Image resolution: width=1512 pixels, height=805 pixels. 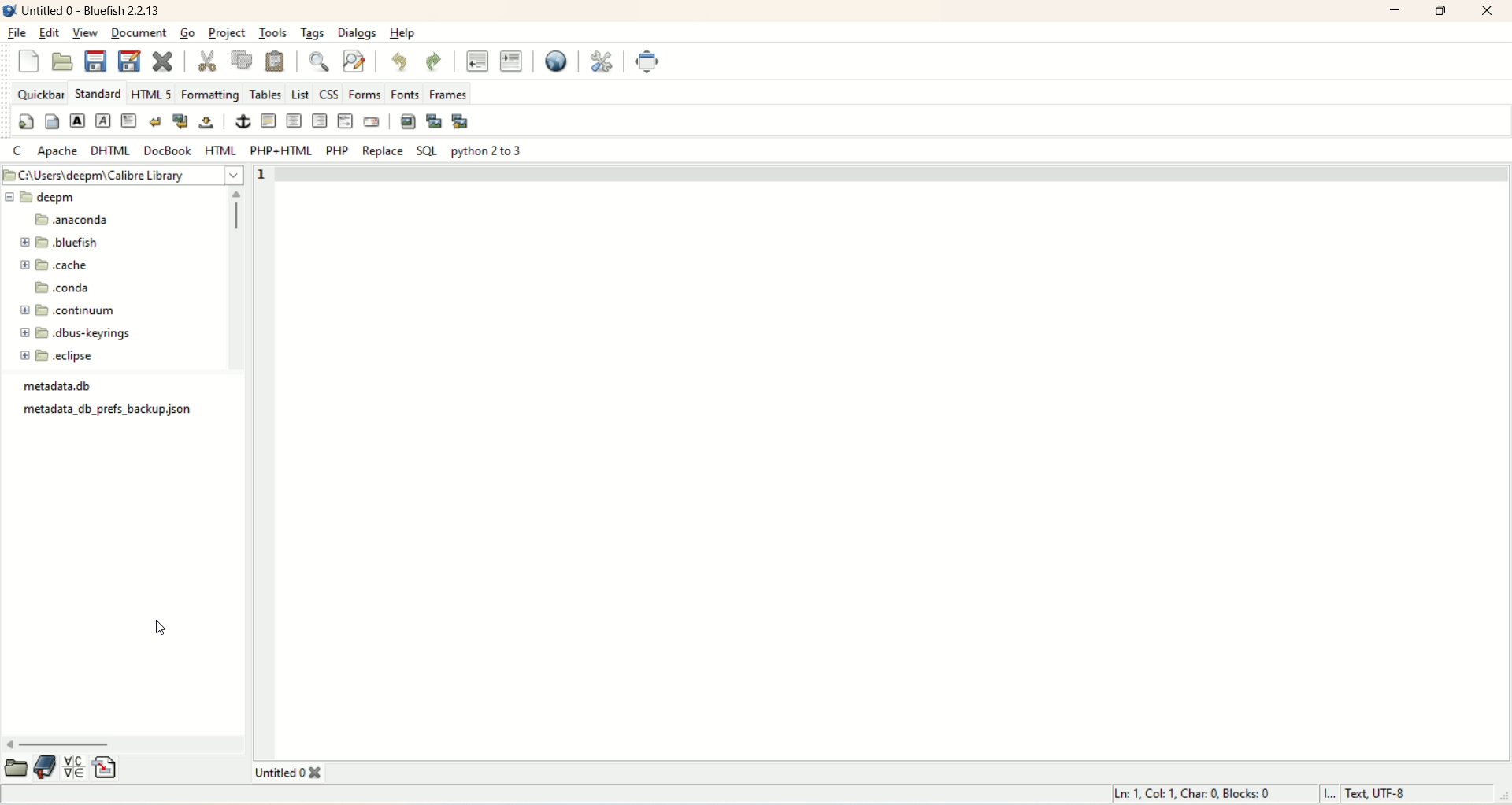 I want to click on file, so click(x=19, y=30).